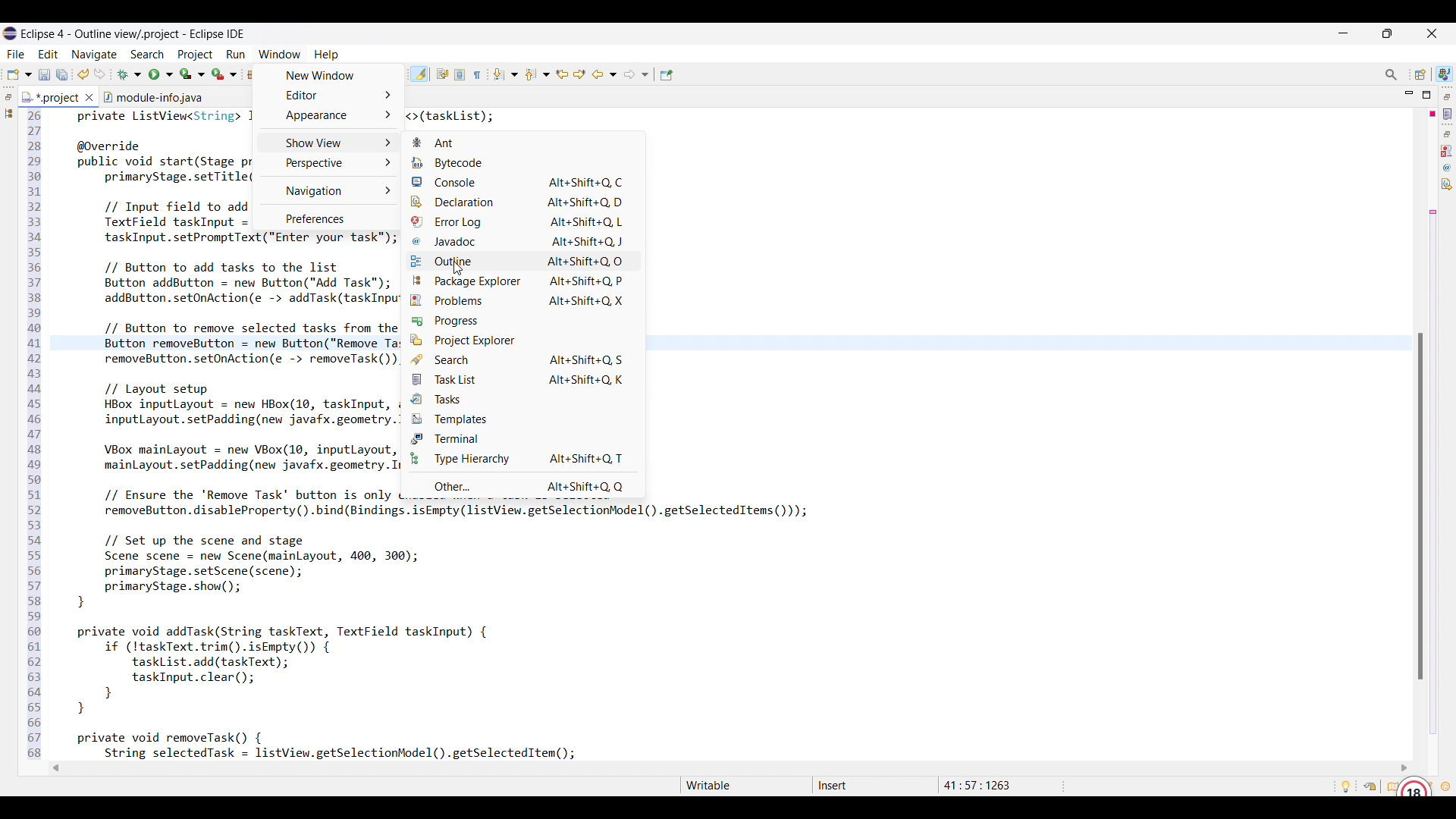  I want to click on Outline, so click(521, 261).